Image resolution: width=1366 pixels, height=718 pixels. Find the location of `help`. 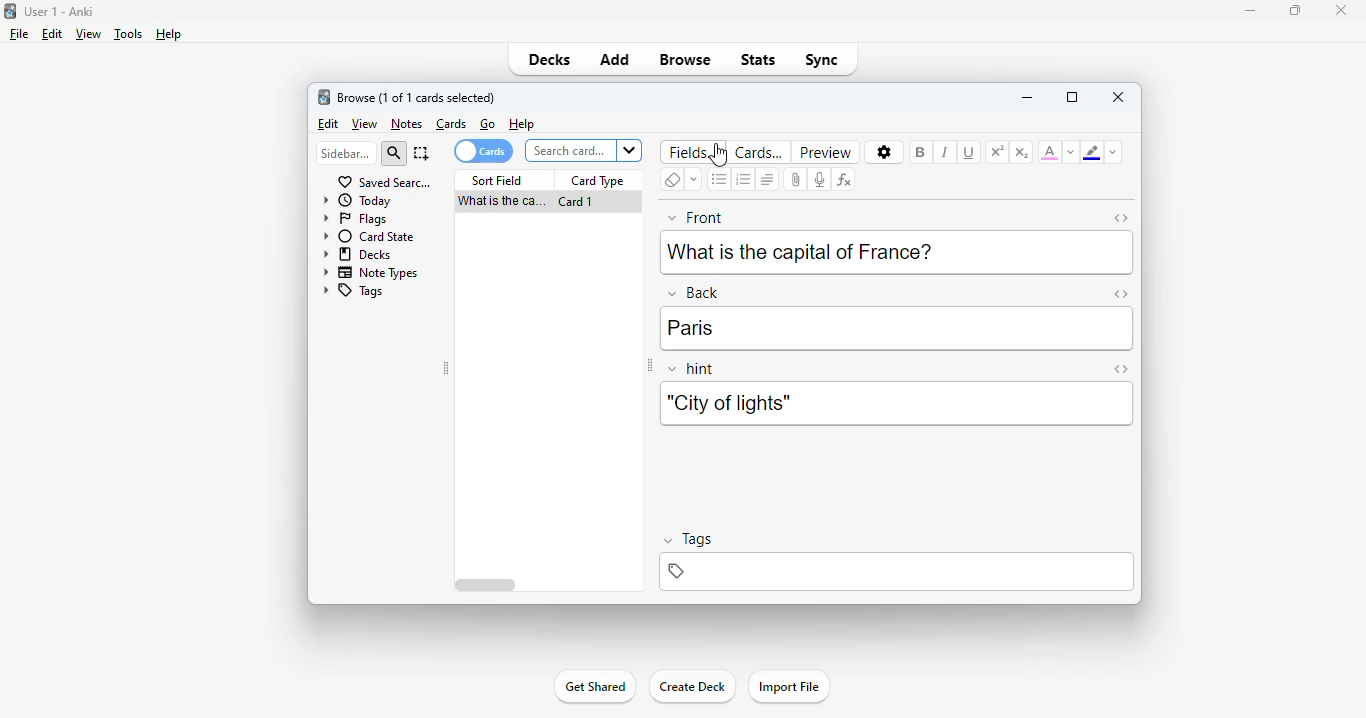

help is located at coordinates (167, 34).